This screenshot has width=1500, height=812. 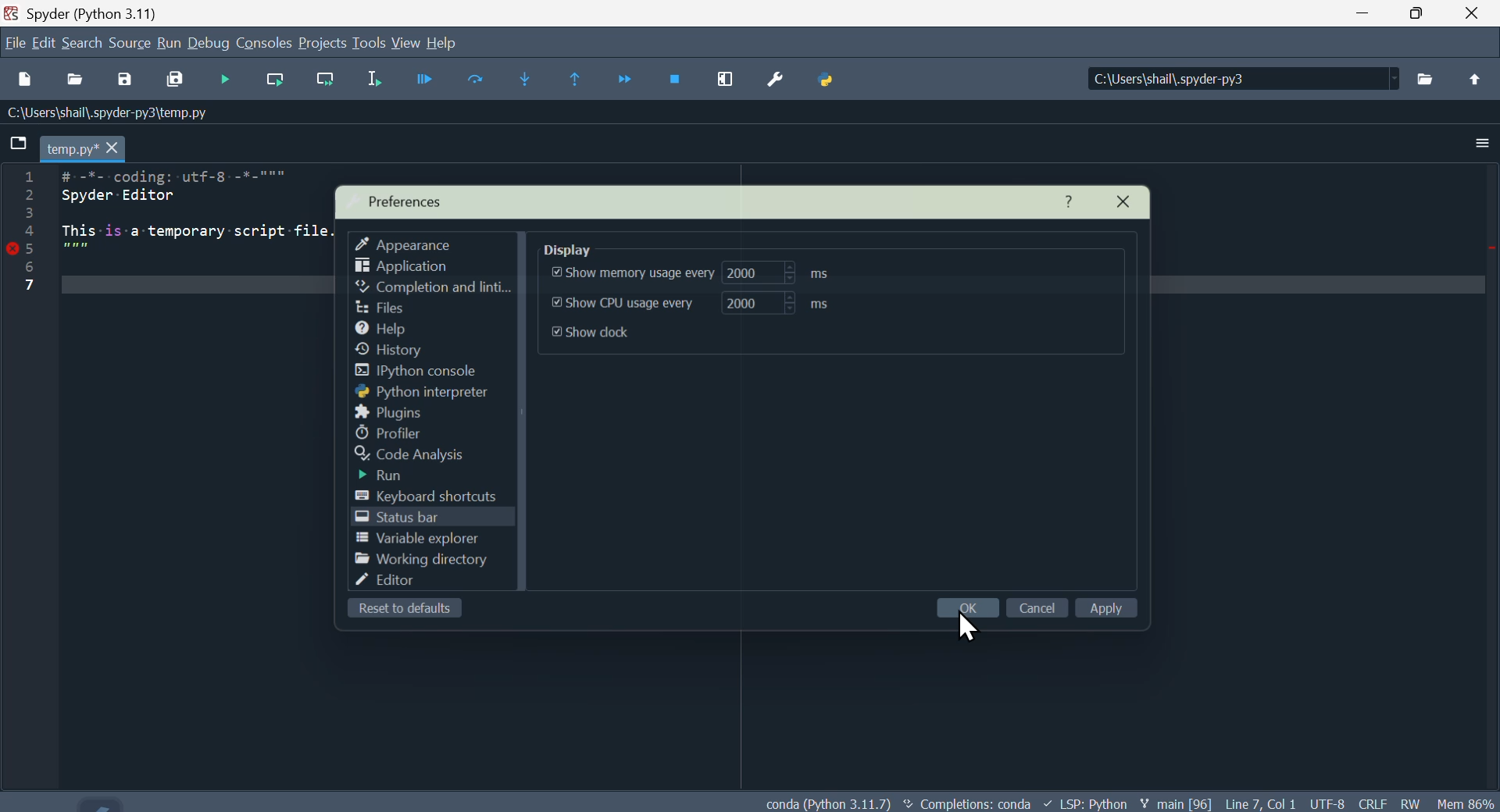 I want to click on Reset to default, so click(x=401, y=611).